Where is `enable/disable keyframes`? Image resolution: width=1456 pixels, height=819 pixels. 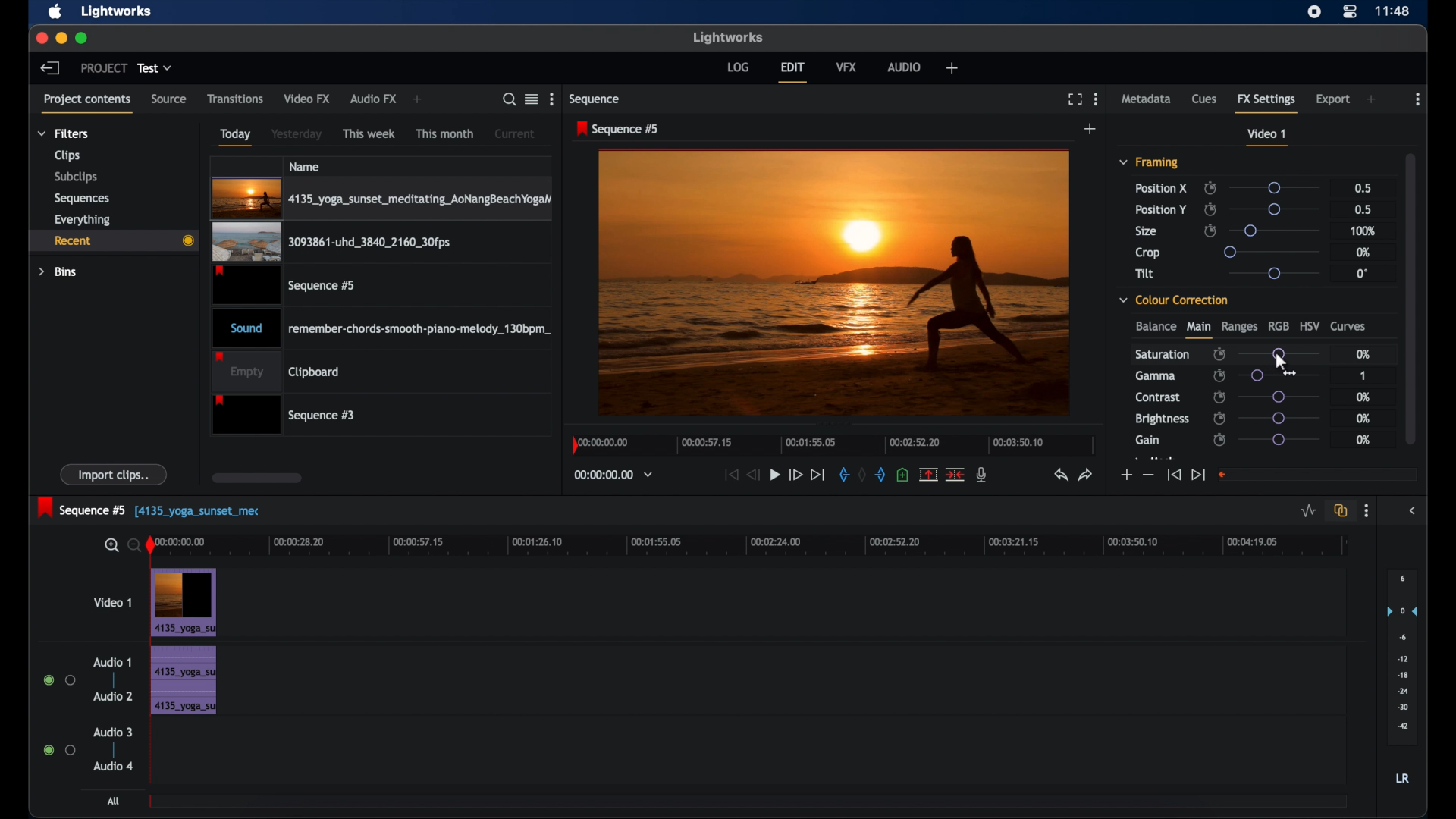 enable/disable keyframes is located at coordinates (1210, 188).